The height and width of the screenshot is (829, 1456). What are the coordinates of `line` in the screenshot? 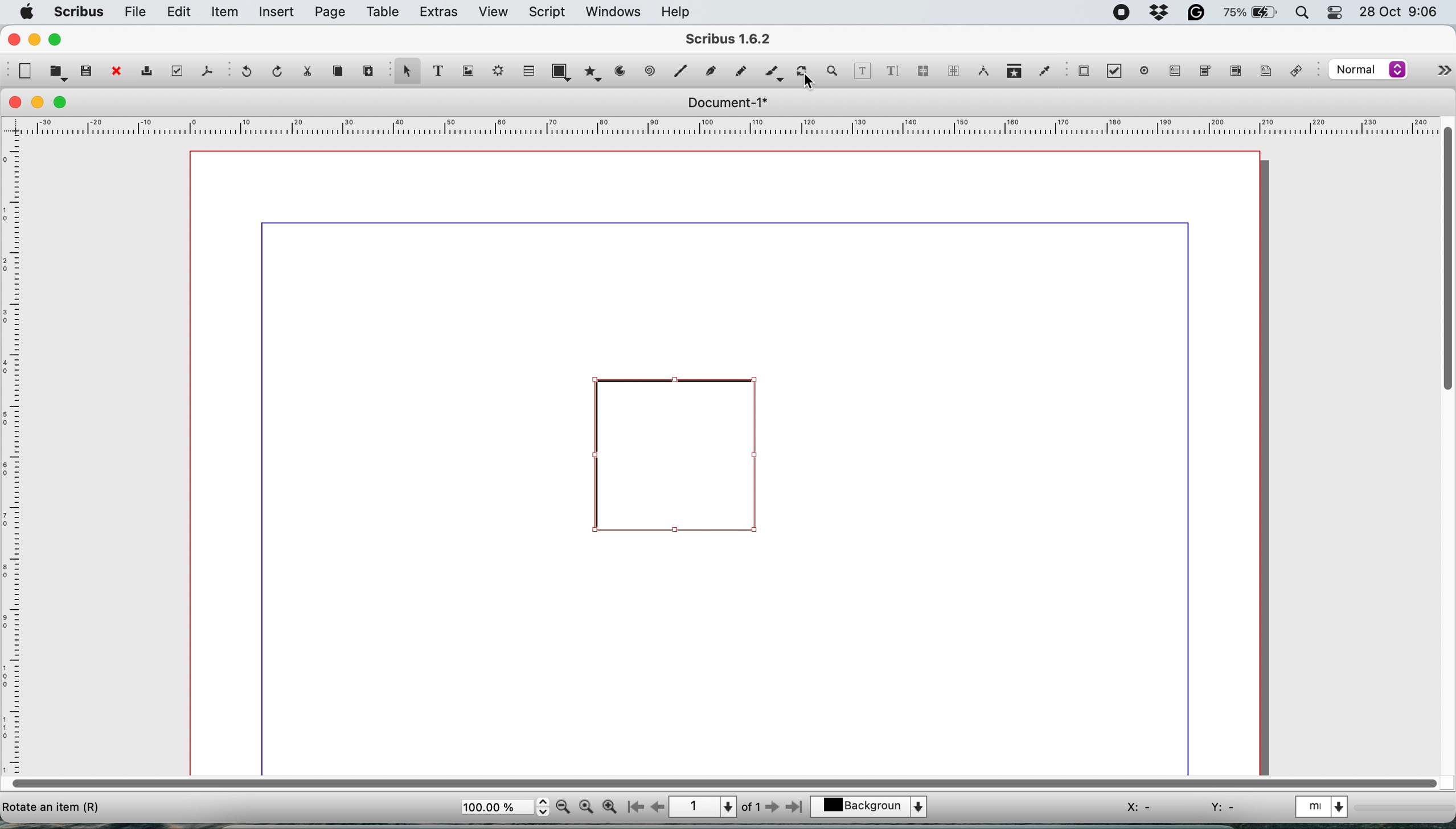 It's located at (650, 72).